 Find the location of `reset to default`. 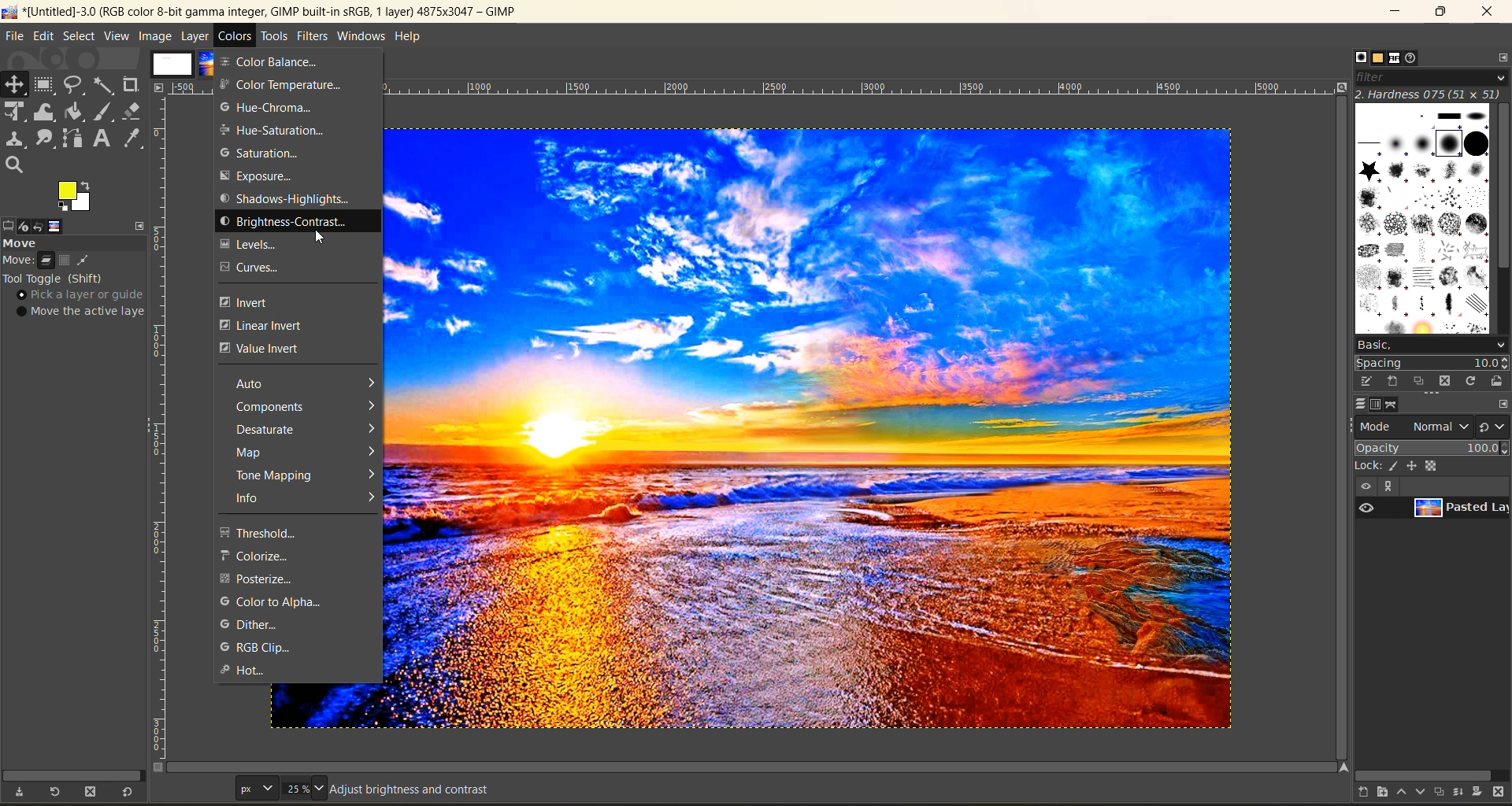

reset to default is located at coordinates (128, 791).